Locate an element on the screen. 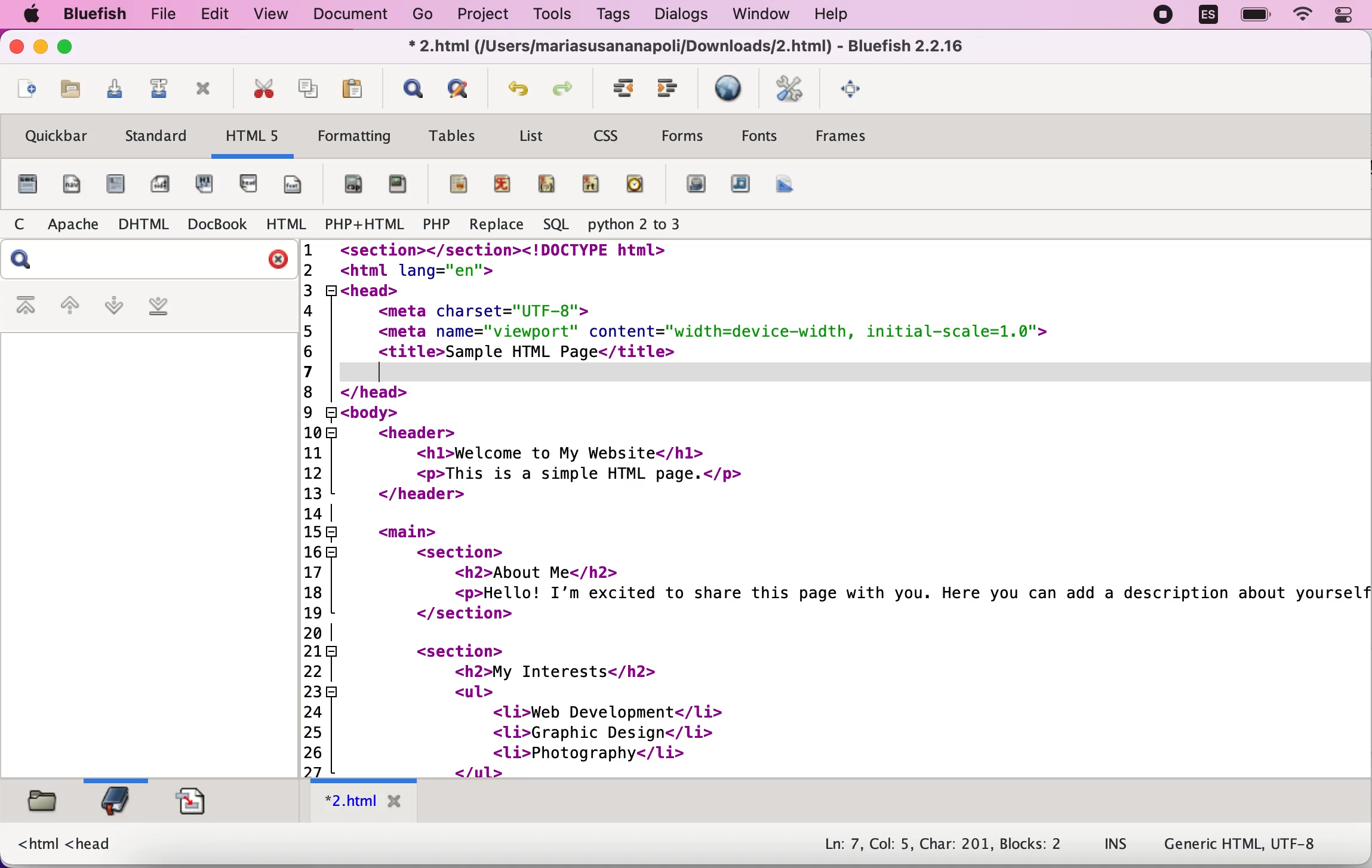  mark is located at coordinates (456, 183).